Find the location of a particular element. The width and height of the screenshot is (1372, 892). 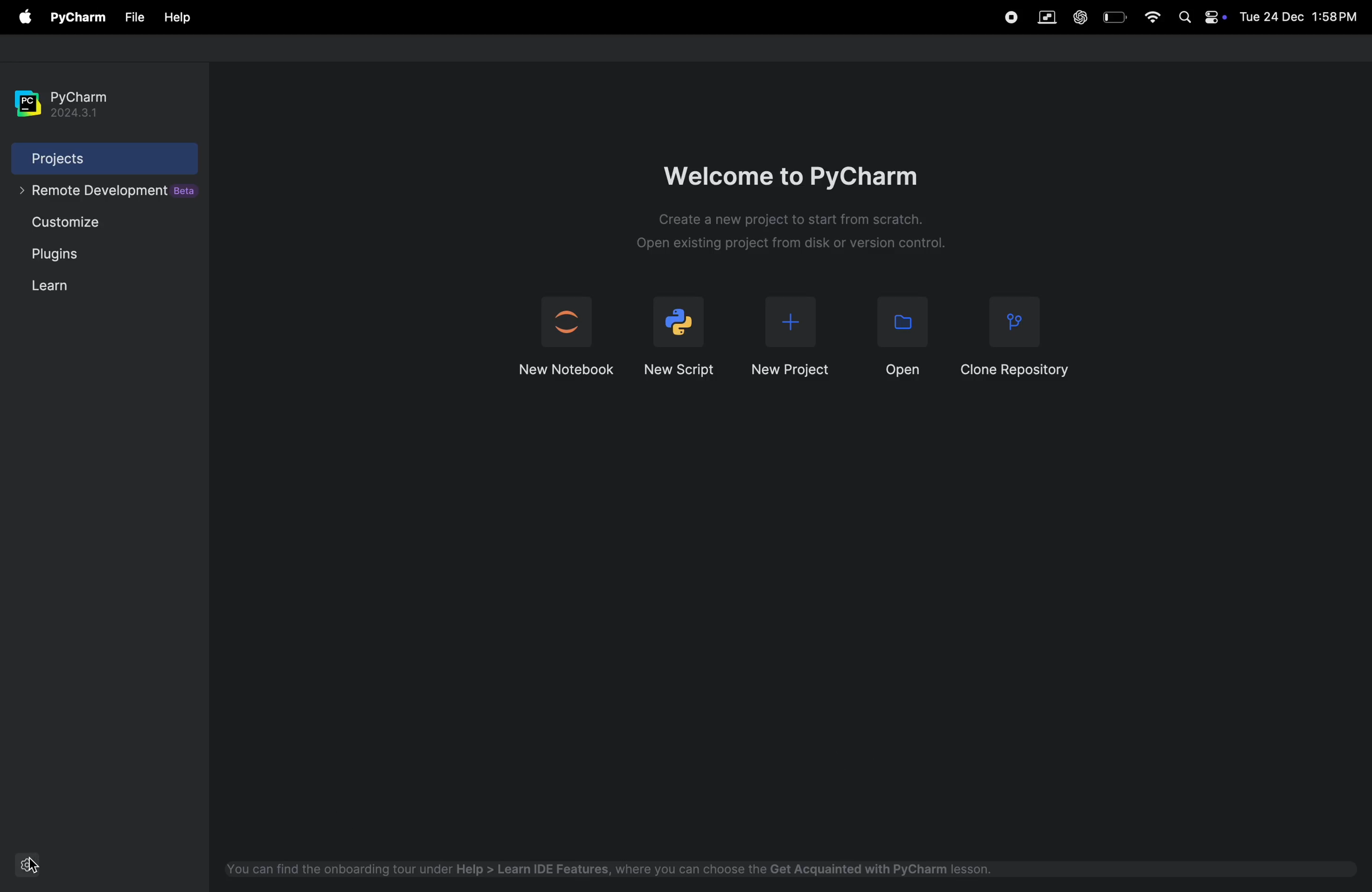

projects is located at coordinates (89, 158).